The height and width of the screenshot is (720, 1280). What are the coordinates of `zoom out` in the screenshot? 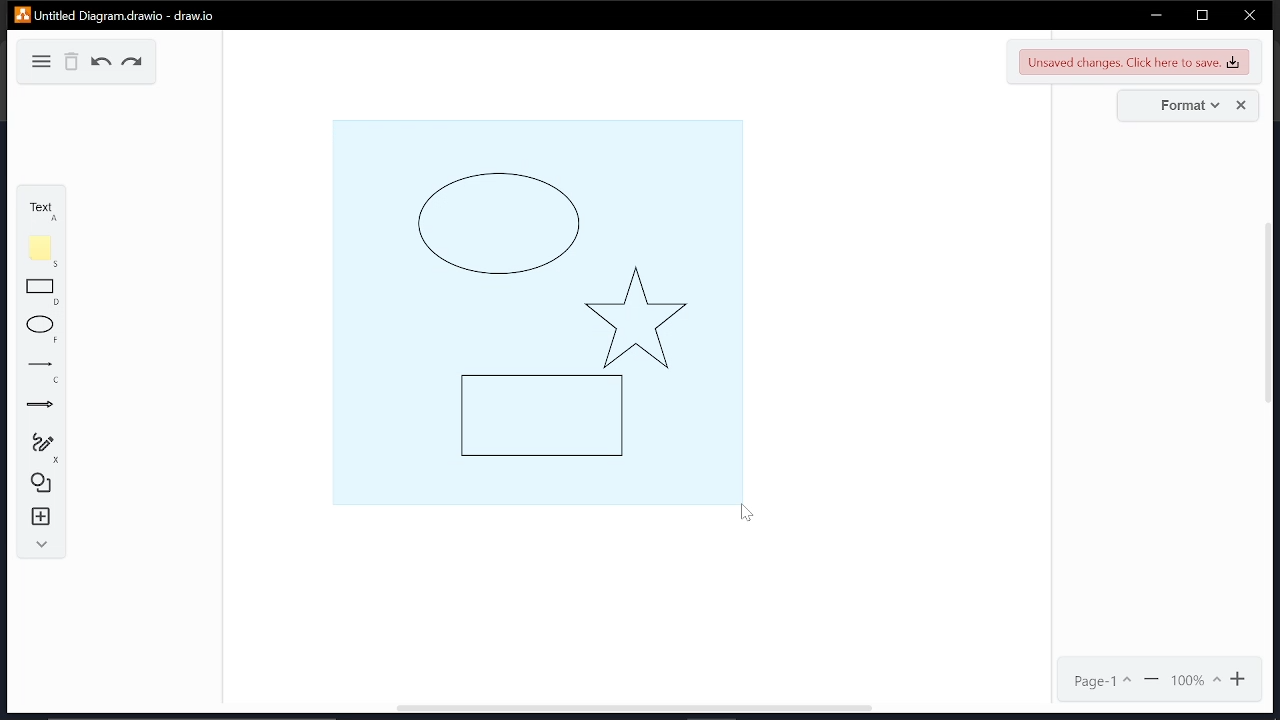 It's located at (1153, 680).